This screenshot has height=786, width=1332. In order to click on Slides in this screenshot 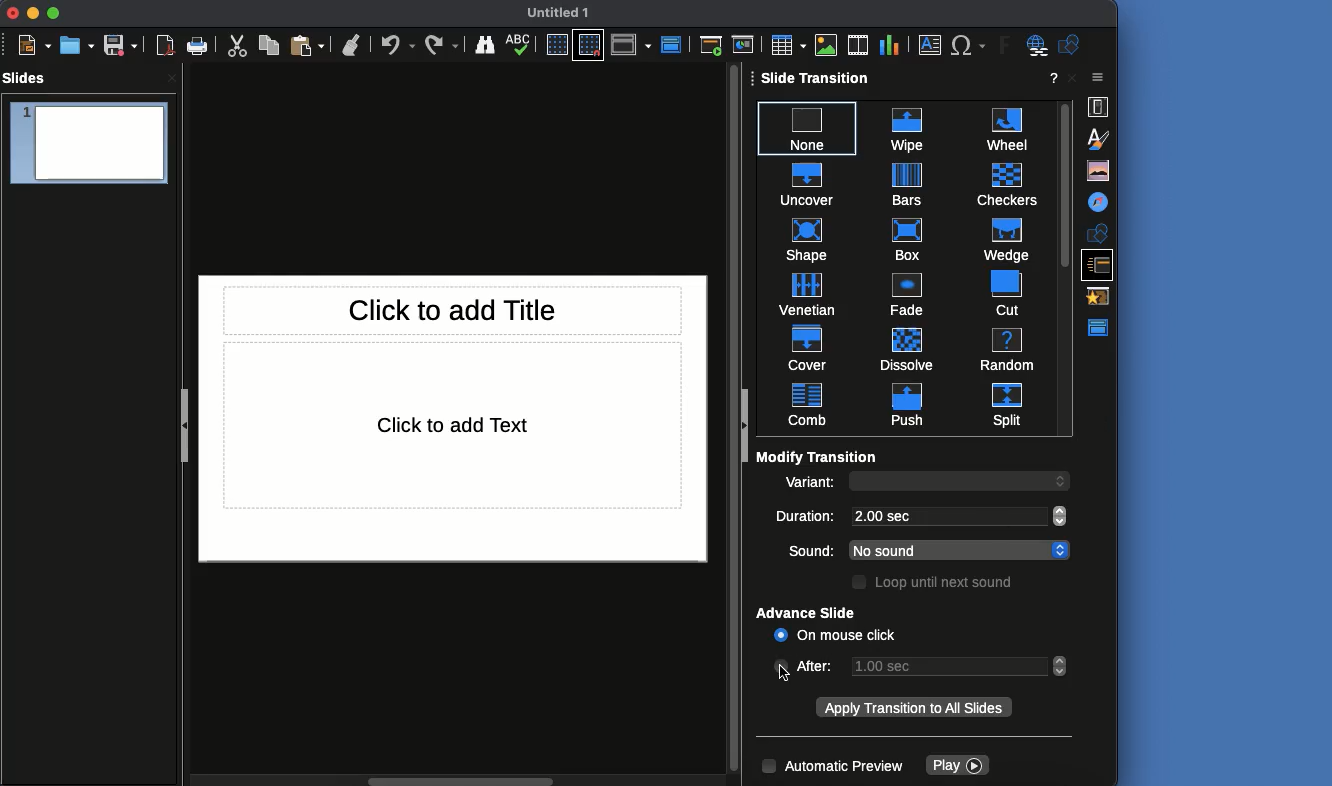, I will do `click(28, 78)`.